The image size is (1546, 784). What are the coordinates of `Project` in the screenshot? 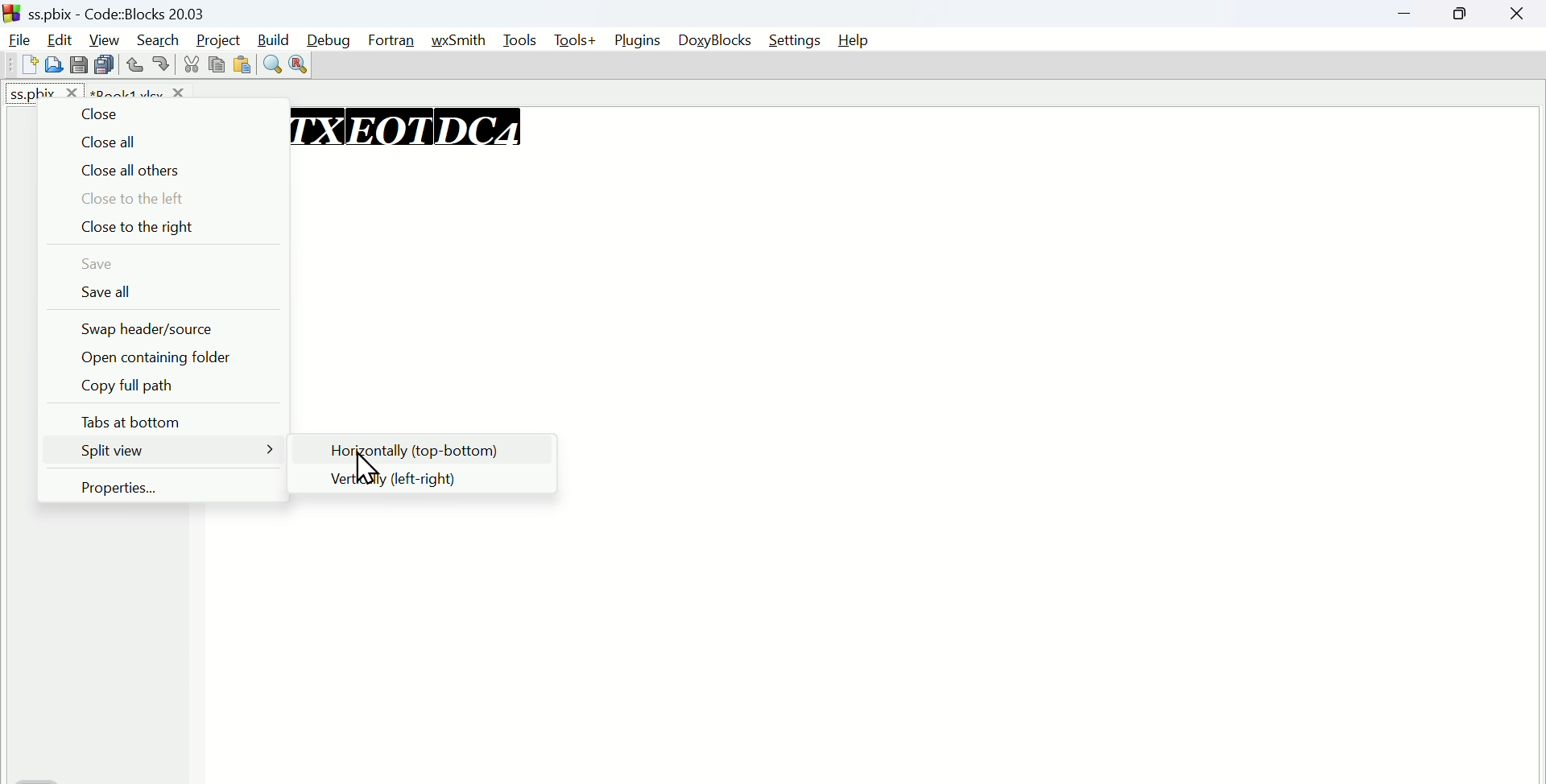 It's located at (216, 38).